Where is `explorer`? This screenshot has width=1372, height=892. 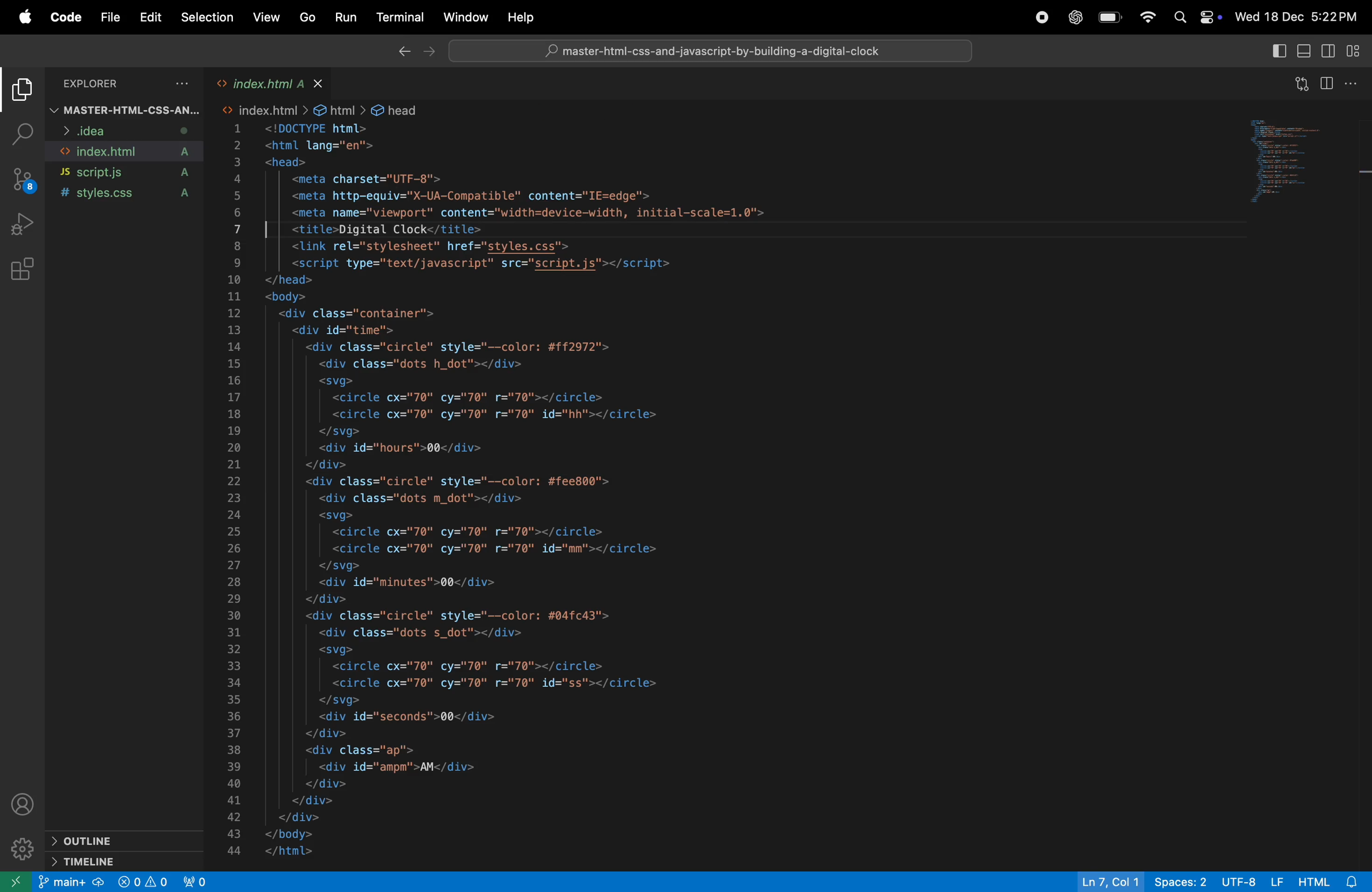 explorer is located at coordinates (129, 85).